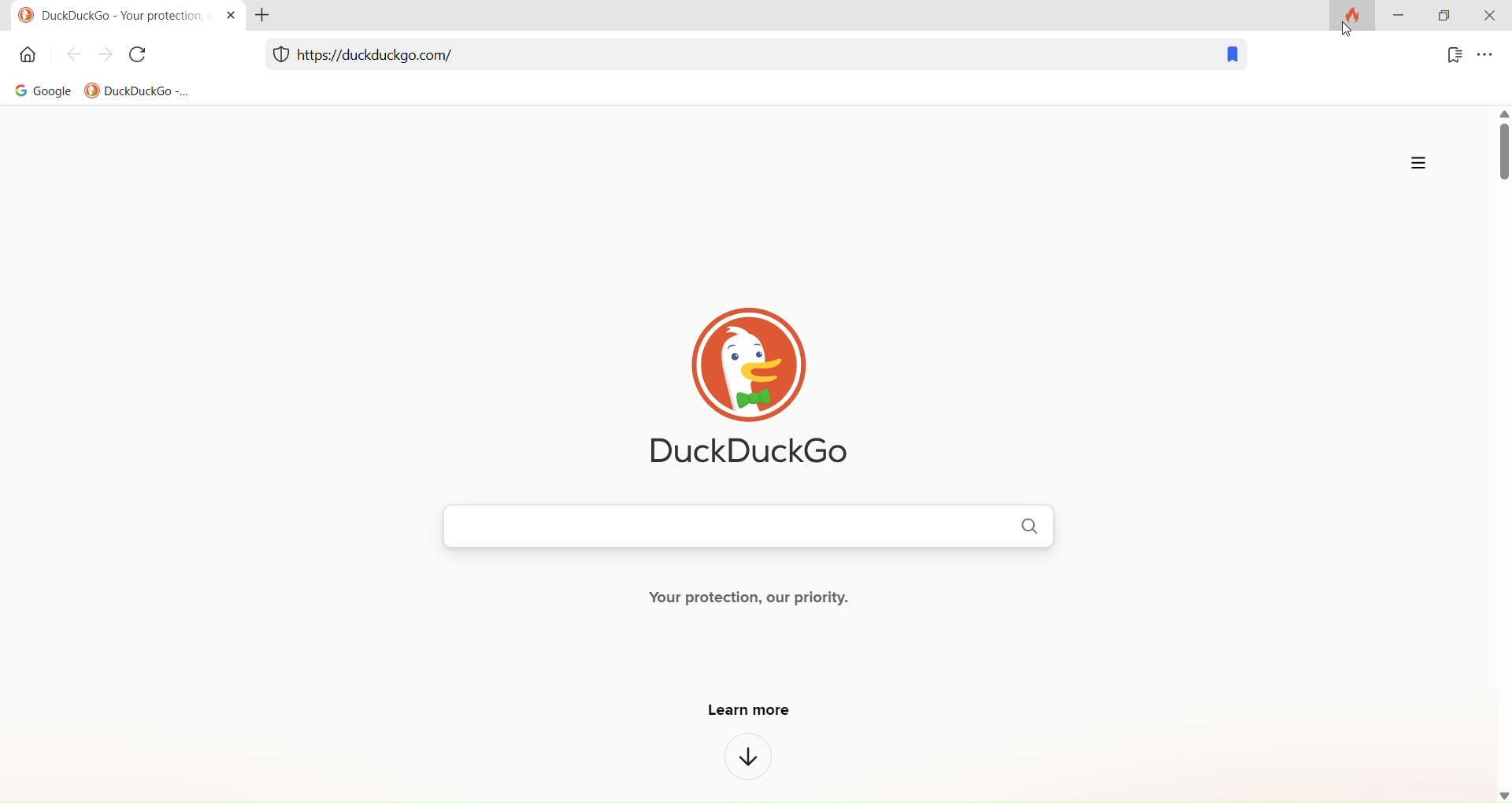 The width and height of the screenshot is (1512, 803). I want to click on scroll bar, so click(1492, 454).